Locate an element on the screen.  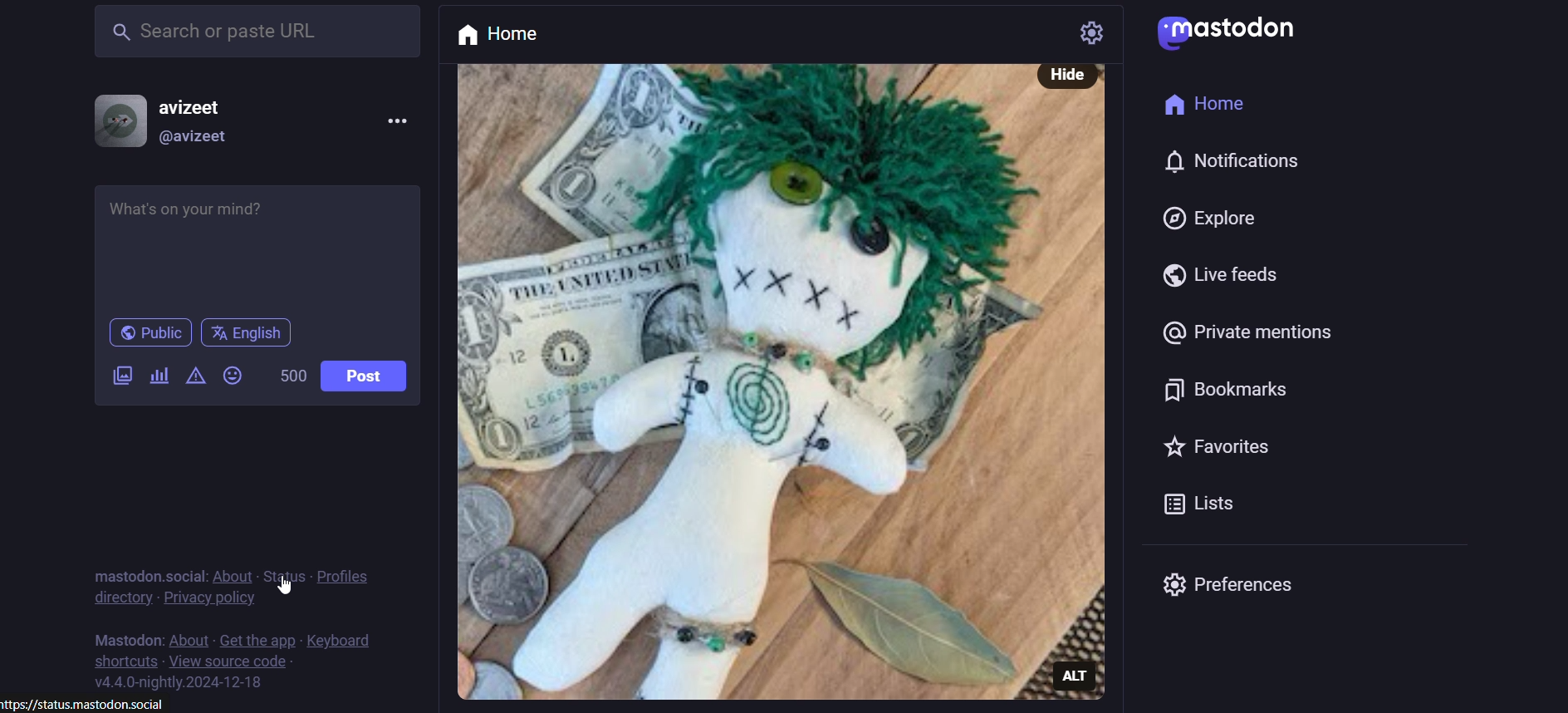
setting is located at coordinates (1095, 33).